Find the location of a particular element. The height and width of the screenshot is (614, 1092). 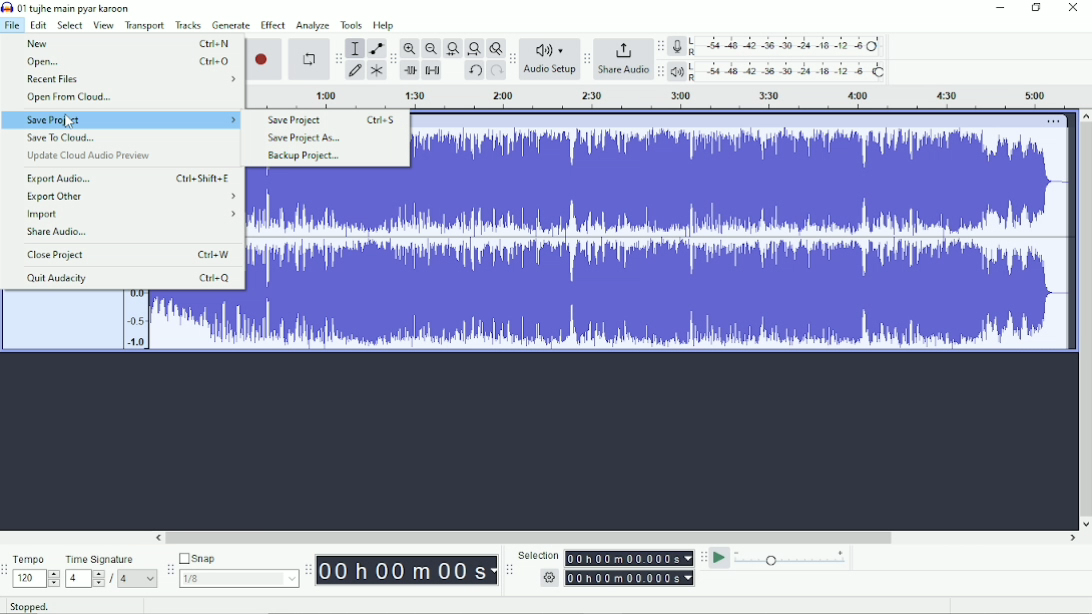

Share Audio is located at coordinates (624, 60).